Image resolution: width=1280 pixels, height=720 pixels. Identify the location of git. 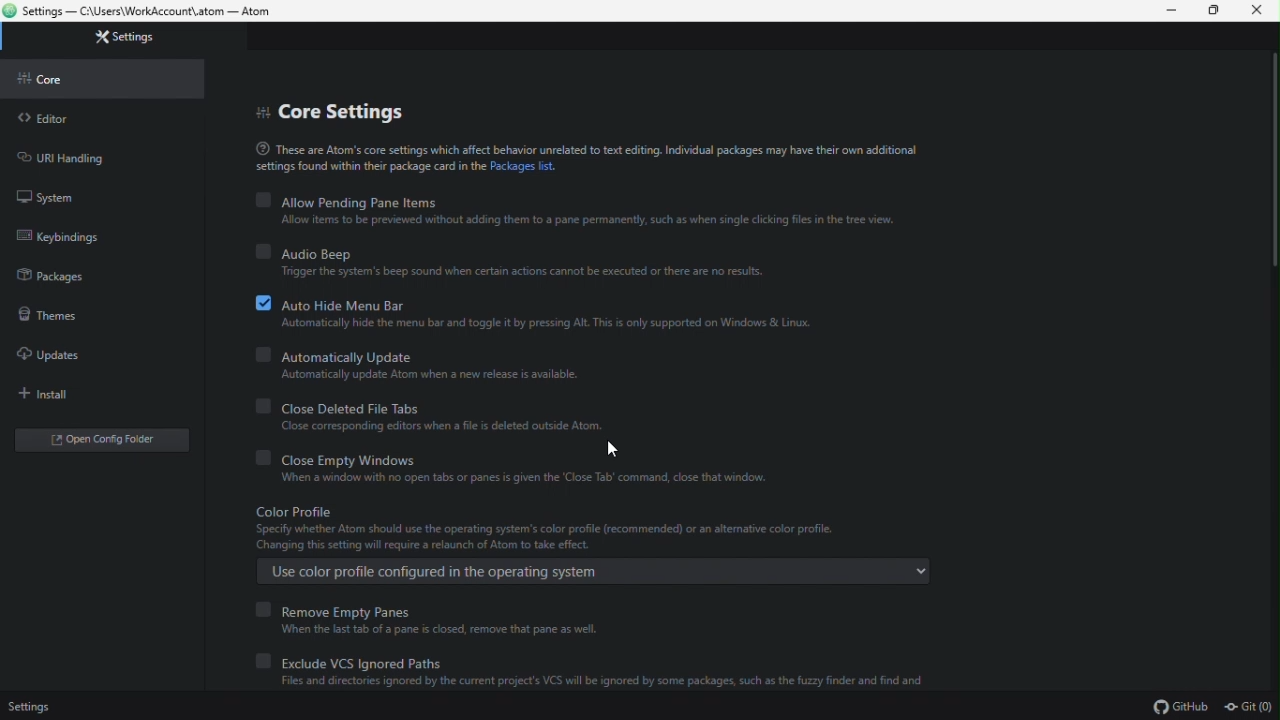
(1250, 707).